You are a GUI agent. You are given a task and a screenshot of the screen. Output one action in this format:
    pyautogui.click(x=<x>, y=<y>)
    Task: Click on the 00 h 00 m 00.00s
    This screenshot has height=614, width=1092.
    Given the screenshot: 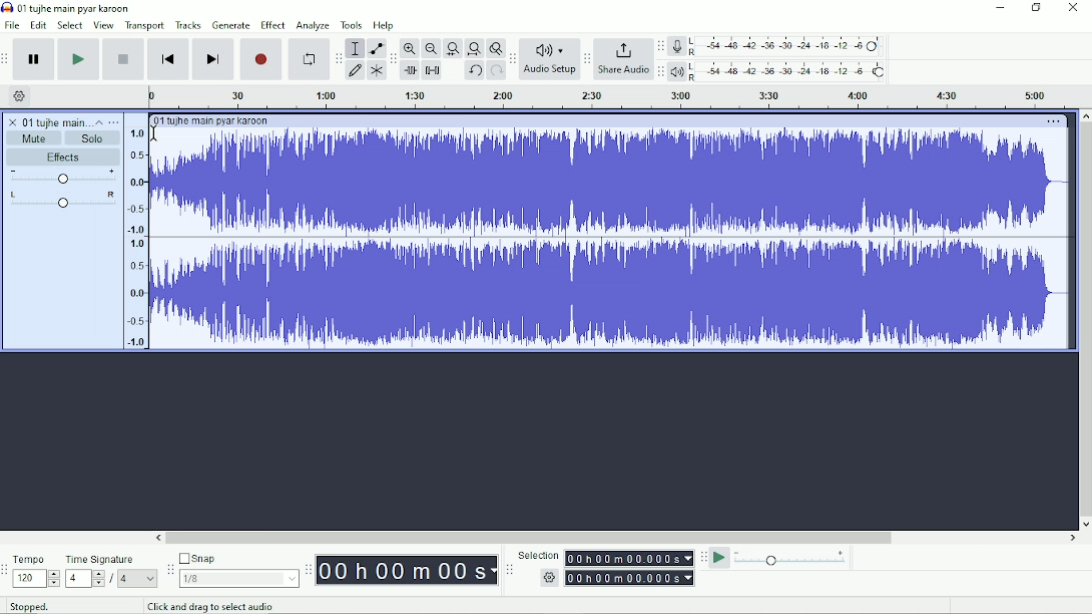 What is the action you would take?
    pyautogui.click(x=630, y=578)
    